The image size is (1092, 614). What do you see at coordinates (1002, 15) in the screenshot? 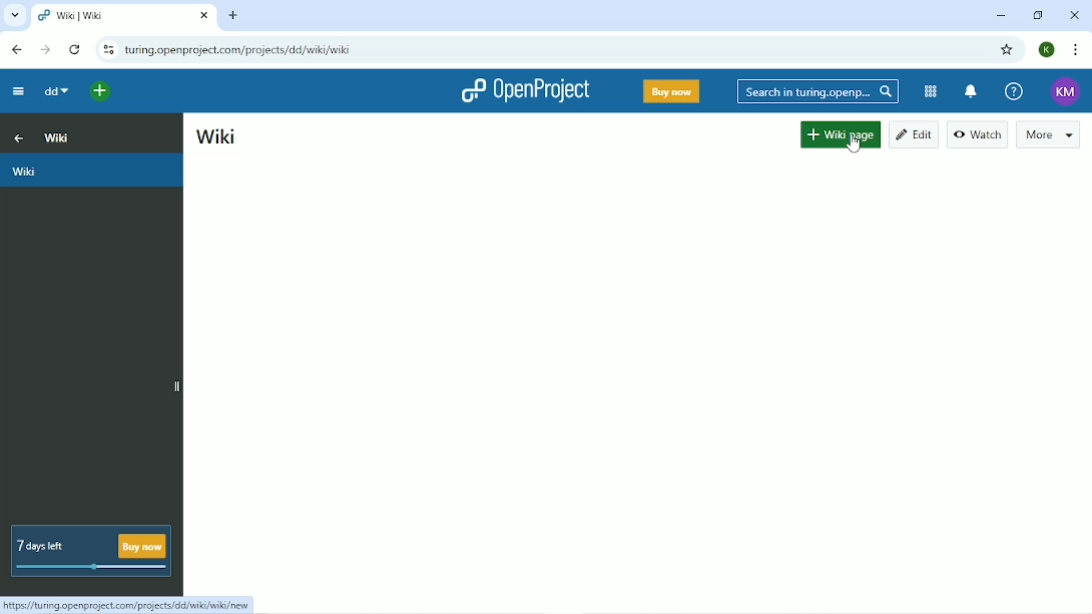
I see `Minimize` at bounding box center [1002, 15].